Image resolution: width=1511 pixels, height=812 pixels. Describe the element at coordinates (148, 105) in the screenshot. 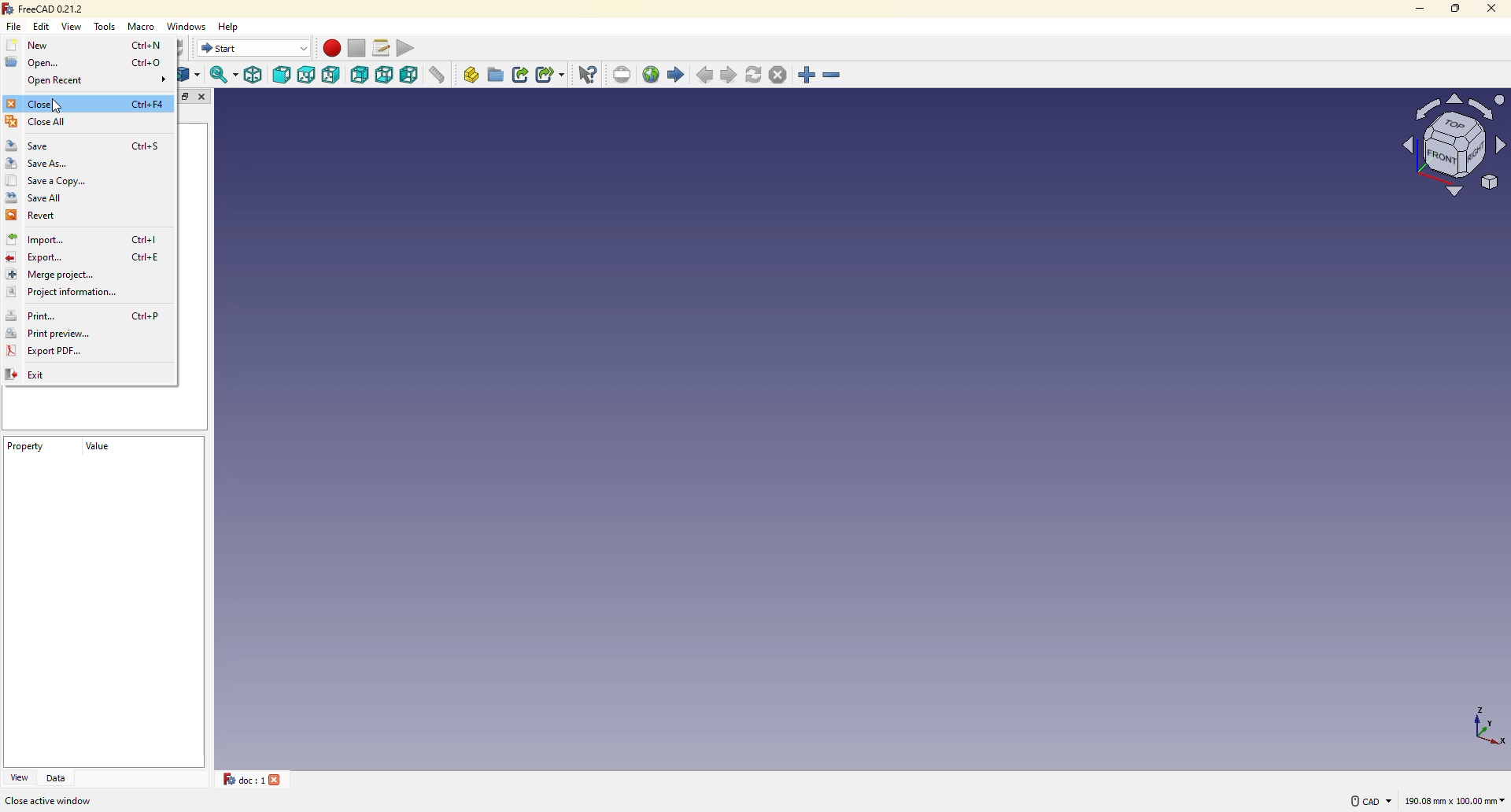

I see `ctrl+f4` at that location.